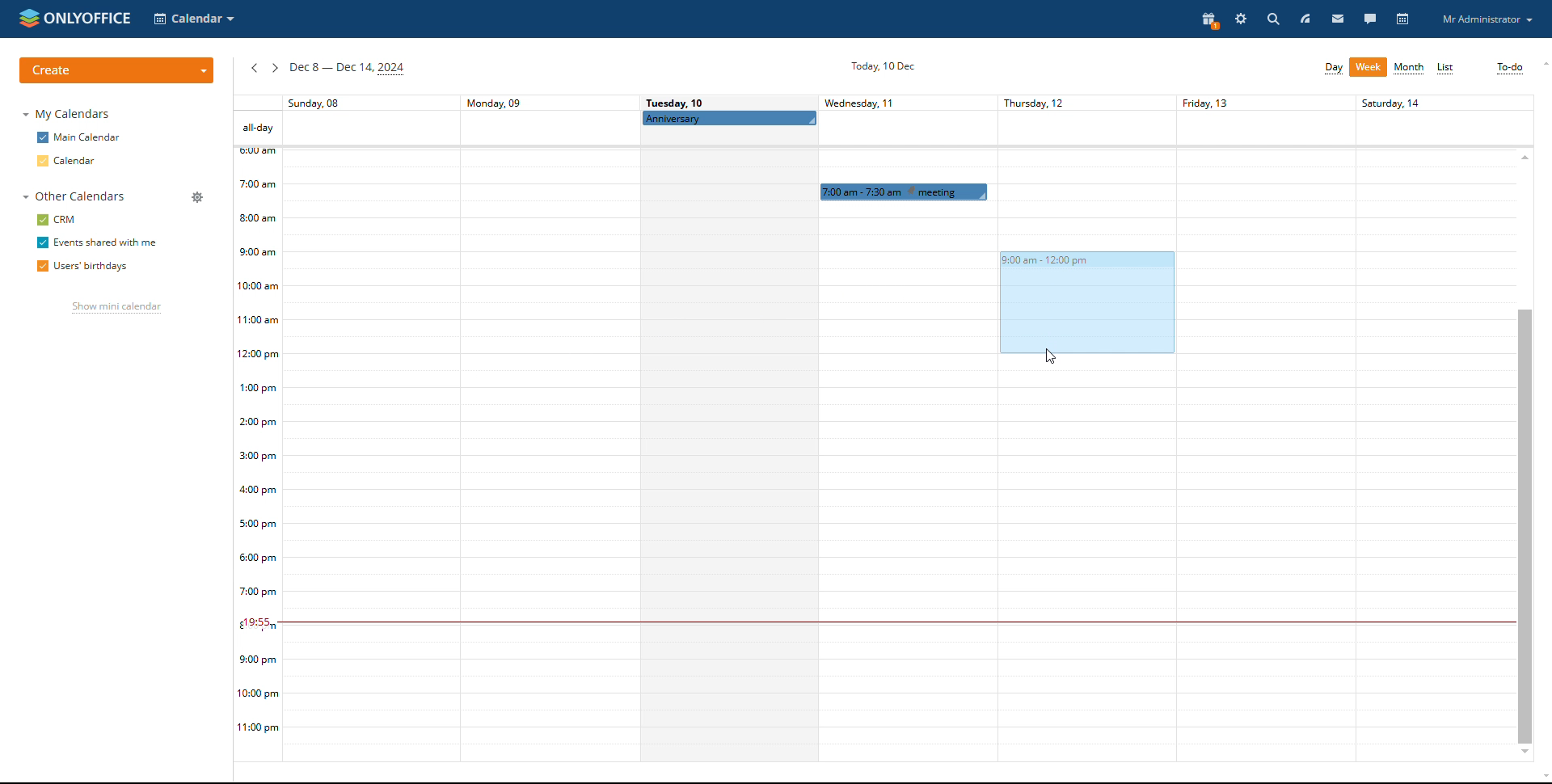 The height and width of the screenshot is (784, 1552). What do you see at coordinates (254, 69) in the screenshot?
I see `previous week` at bounding box center [254, 69].